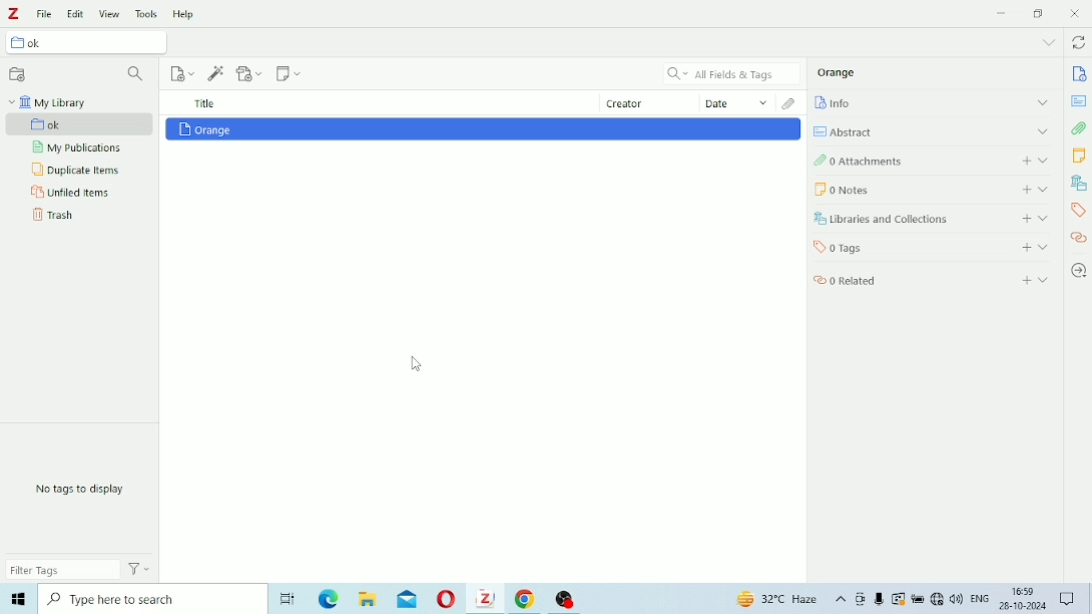 This screenshot has height=614, width=1092. What do you see at coordinates (287, 600) in the screenshot?
I see `Task View` at bounding box center [287, 600].